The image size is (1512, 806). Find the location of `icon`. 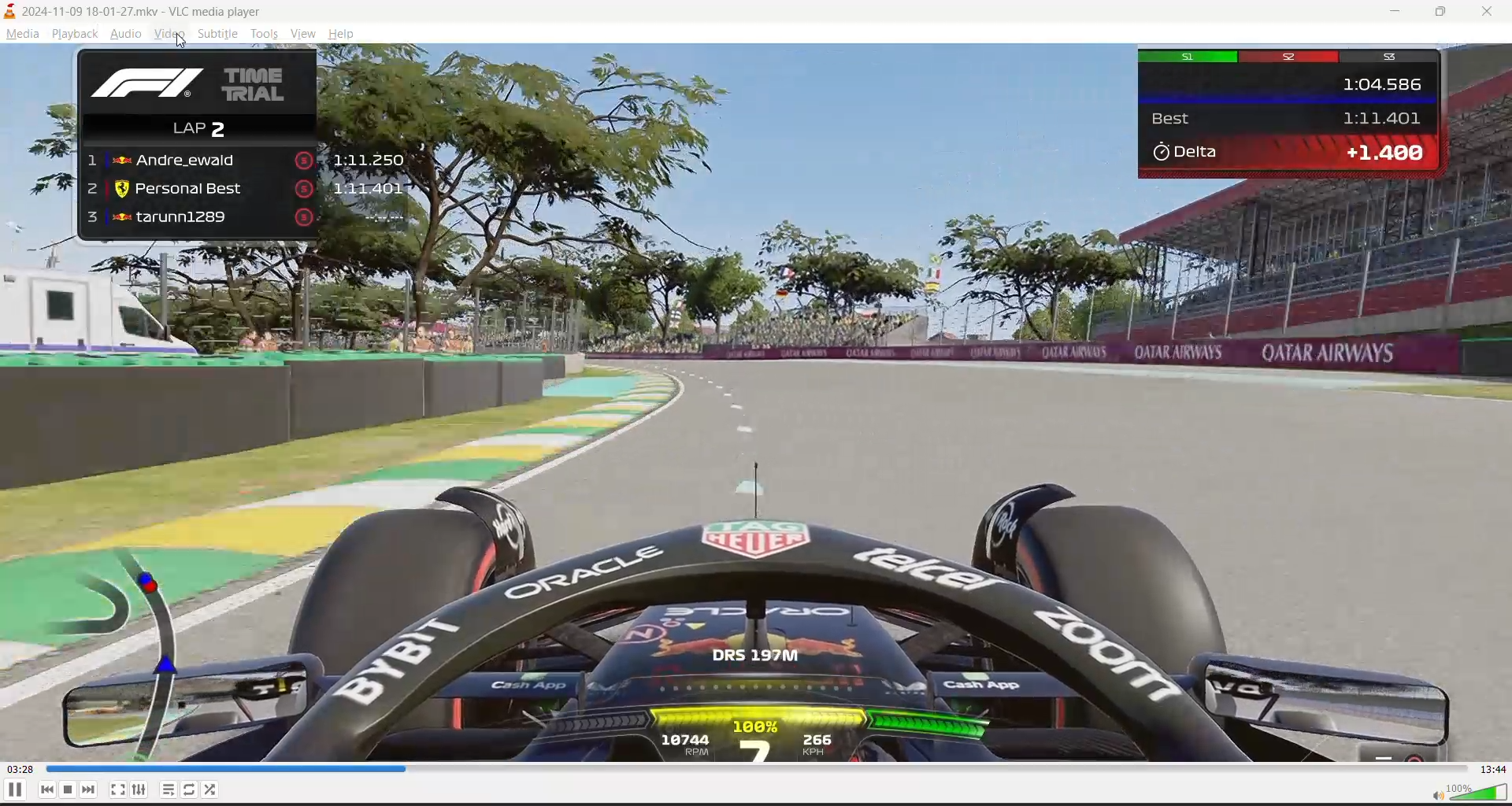

icon is located at coordinates (13, 12).